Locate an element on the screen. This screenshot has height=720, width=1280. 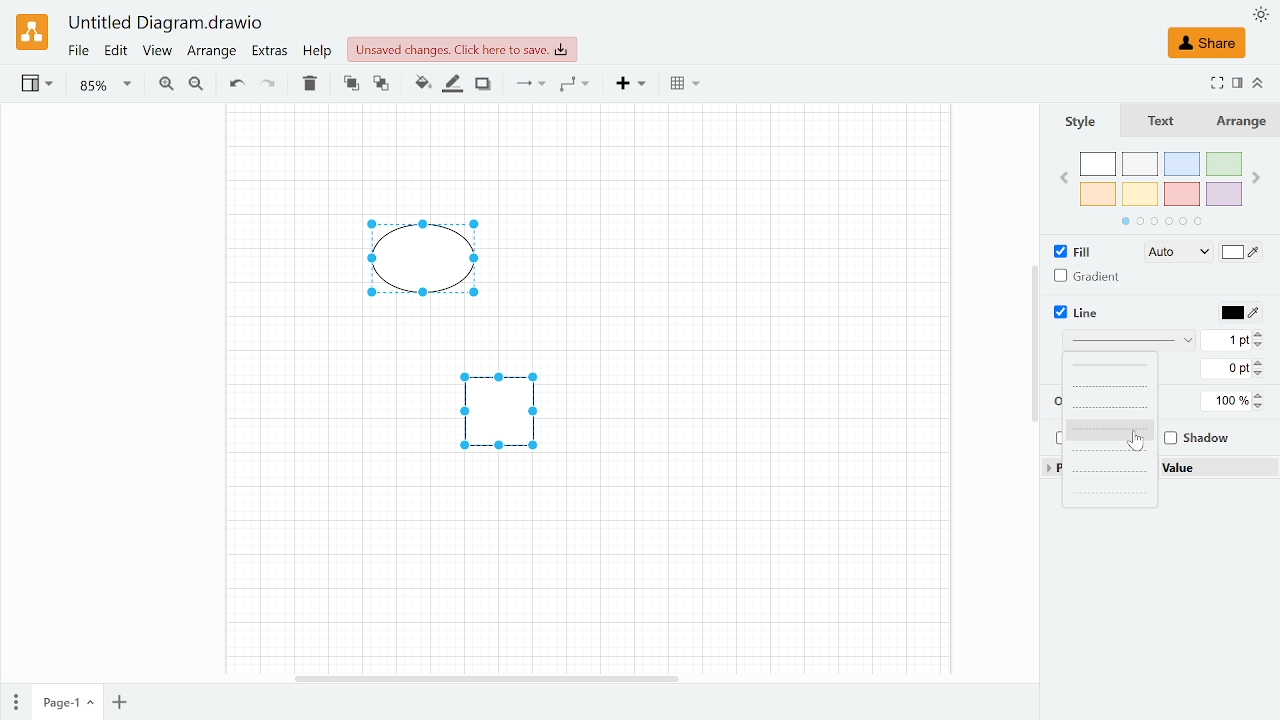
Help is located at coordinates (320, 53).